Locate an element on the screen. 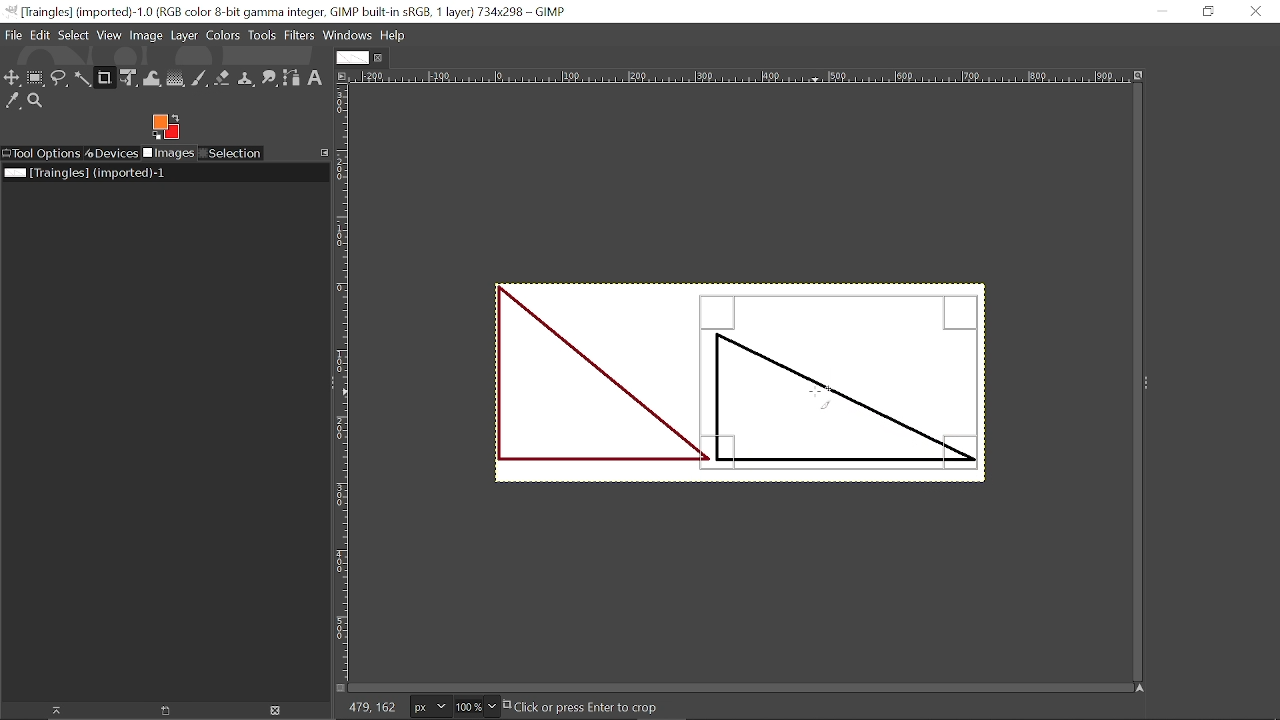 The width and height of the screenshot is (1280, 720). File is located at coordinates (15, 35).